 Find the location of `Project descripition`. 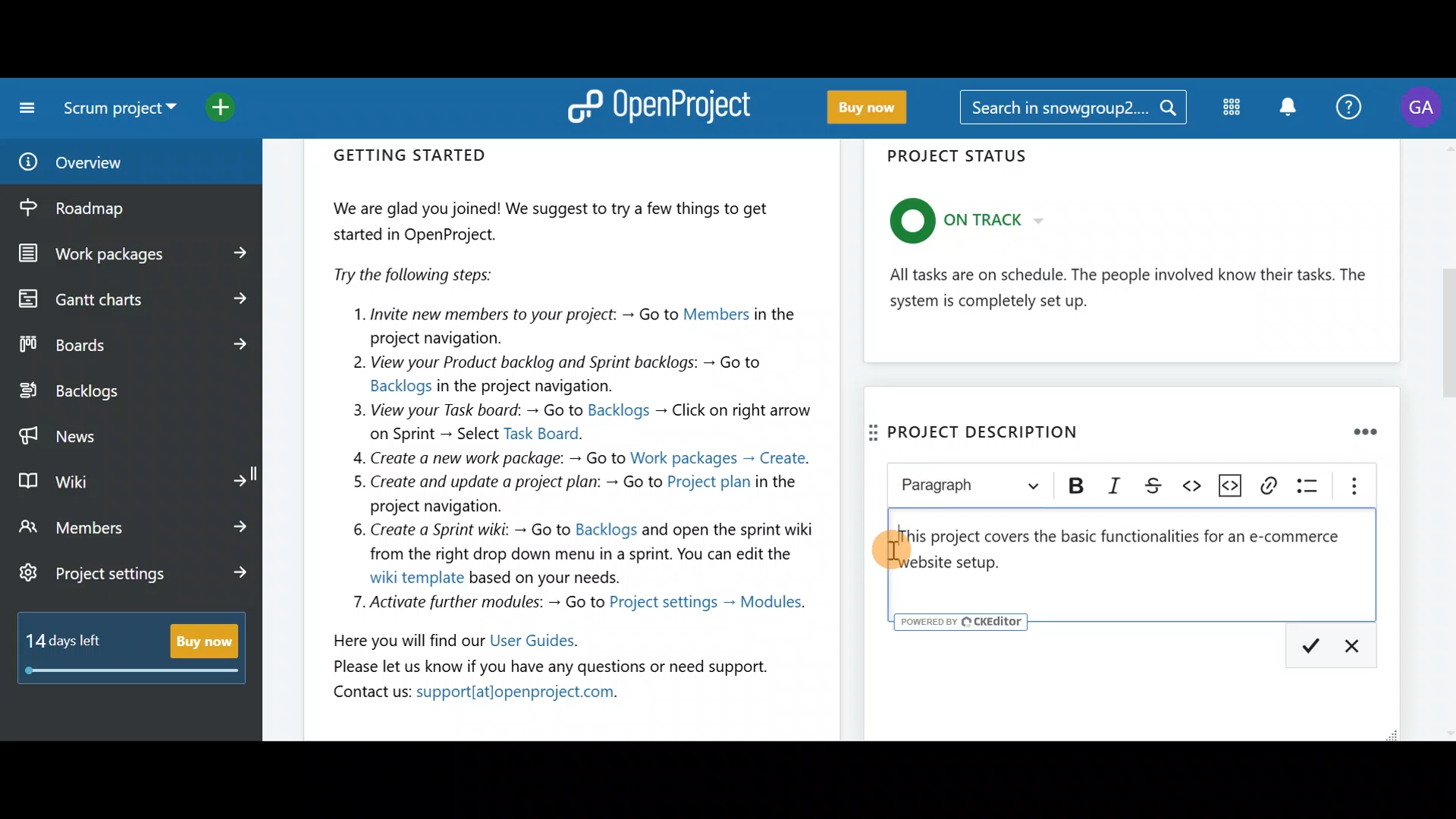

Project descripition is located at coordinates (988, 429).